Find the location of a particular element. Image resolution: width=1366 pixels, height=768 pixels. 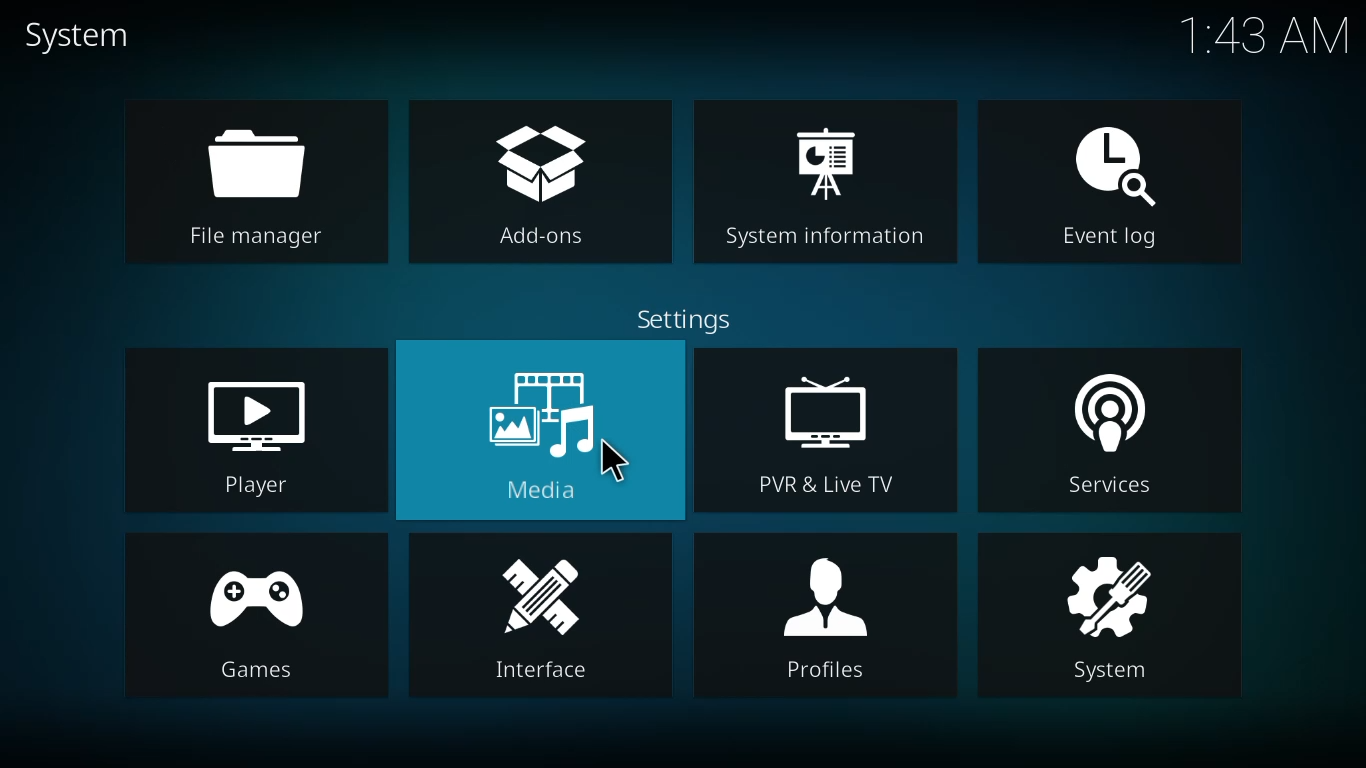

settings is located at coordinates (686, 318).